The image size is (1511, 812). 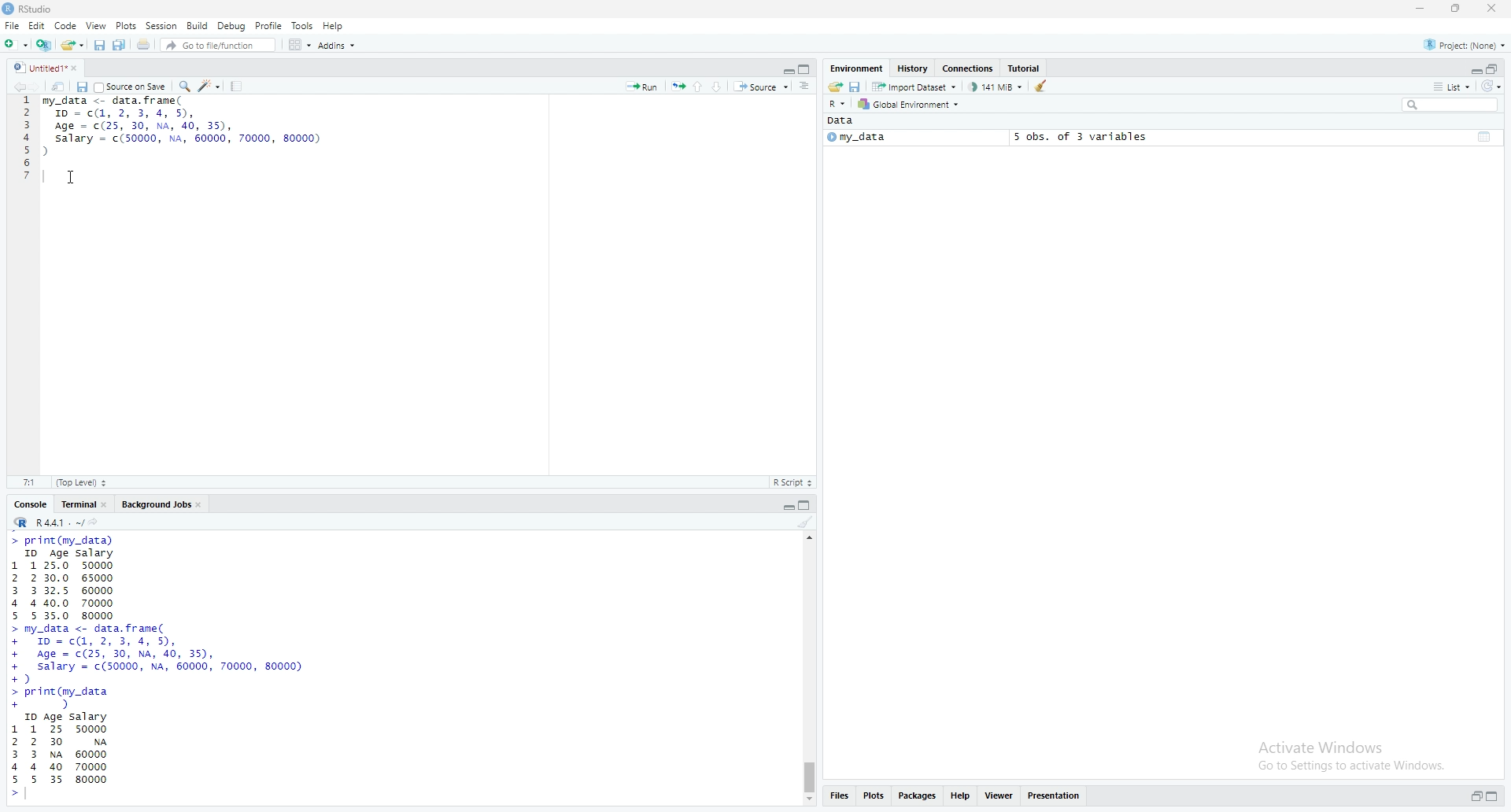 I want to click on go back, so click(x=16, y=87).